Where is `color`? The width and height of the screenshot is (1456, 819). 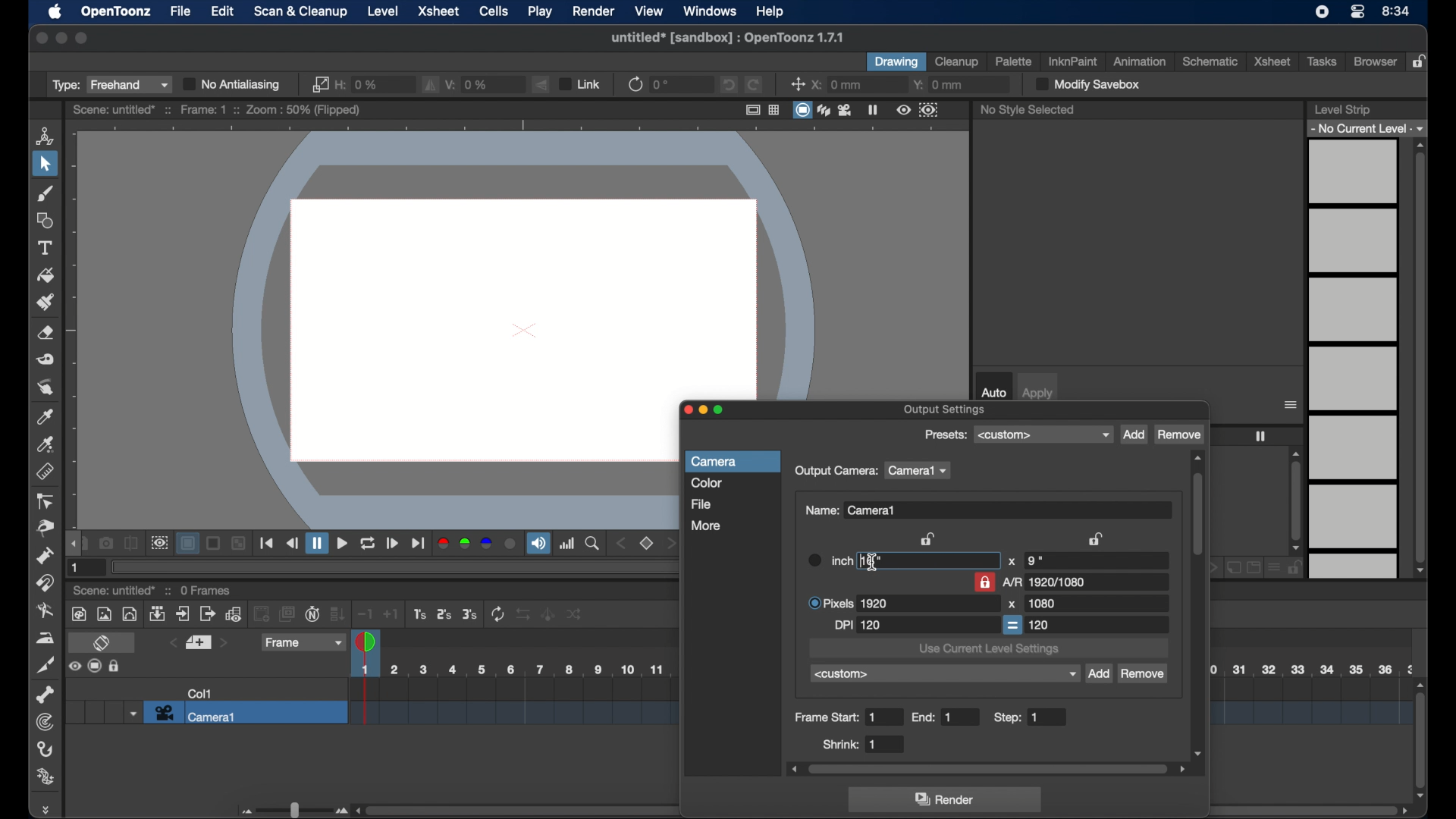 color is located at coordinates (707, 483).